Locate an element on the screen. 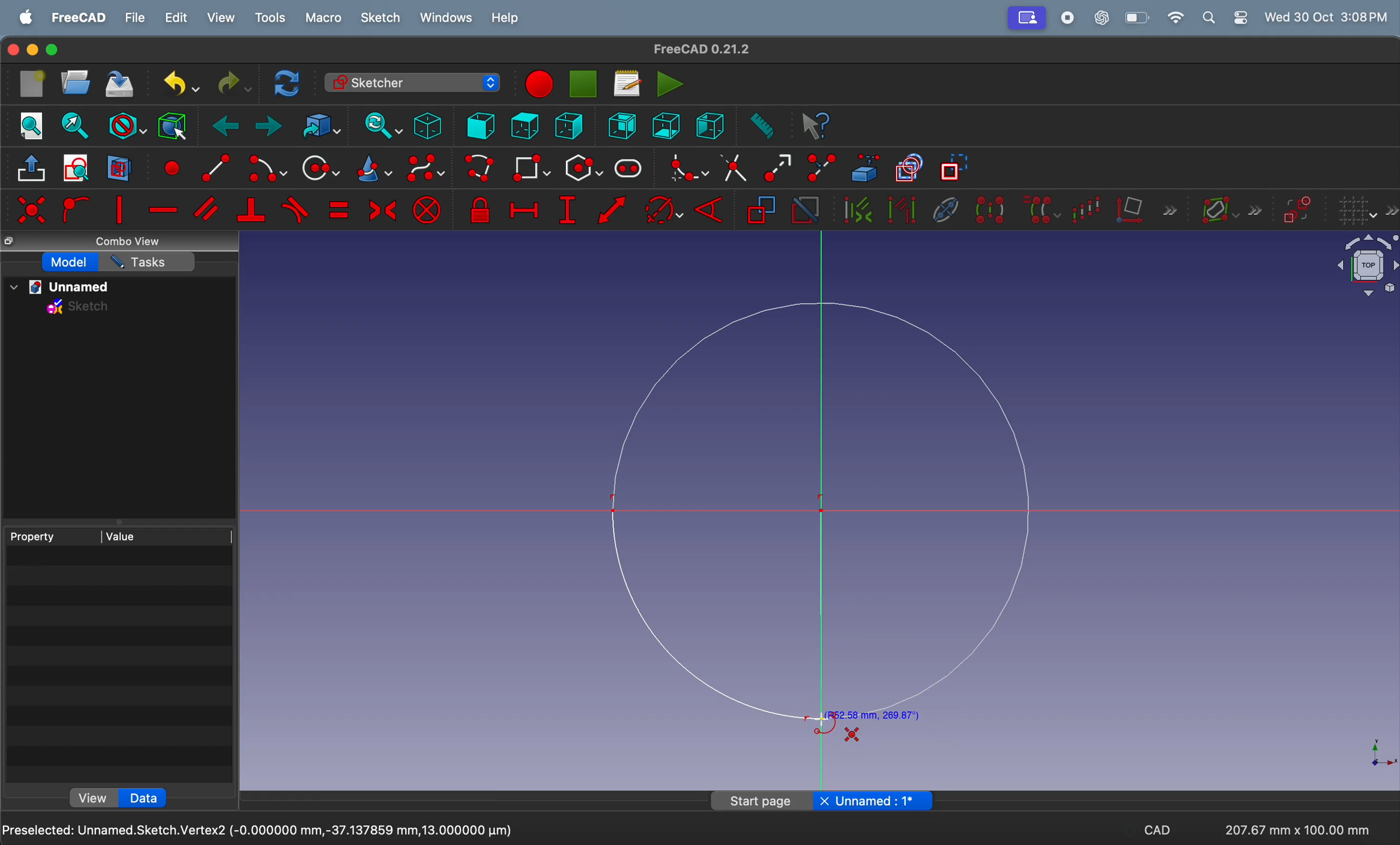  Wed 30 Oct 3:07PM is located at coordinates (1330, 16).